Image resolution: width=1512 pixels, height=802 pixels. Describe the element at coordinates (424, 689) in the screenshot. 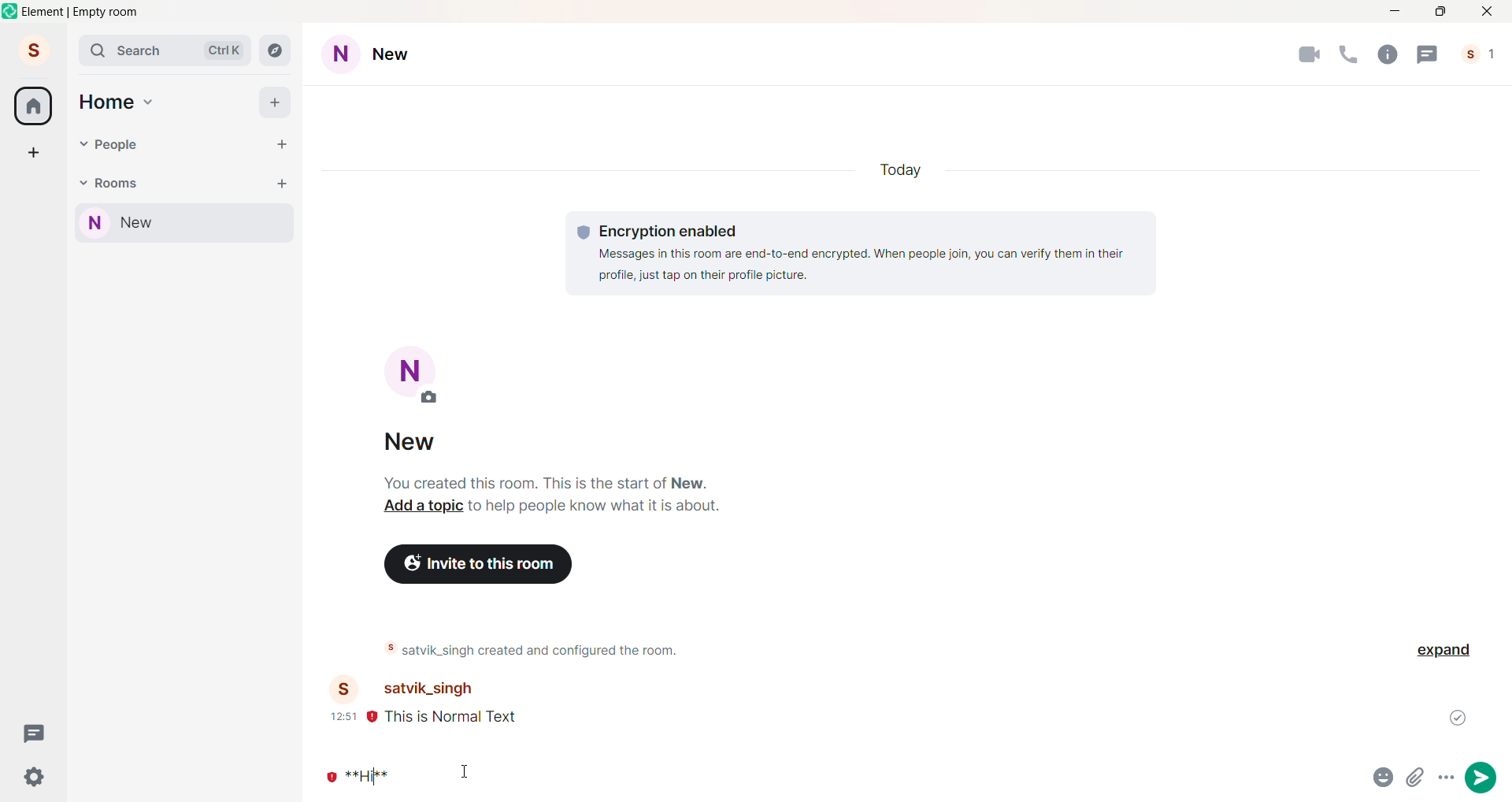

I see `satvik_singh` at that location.